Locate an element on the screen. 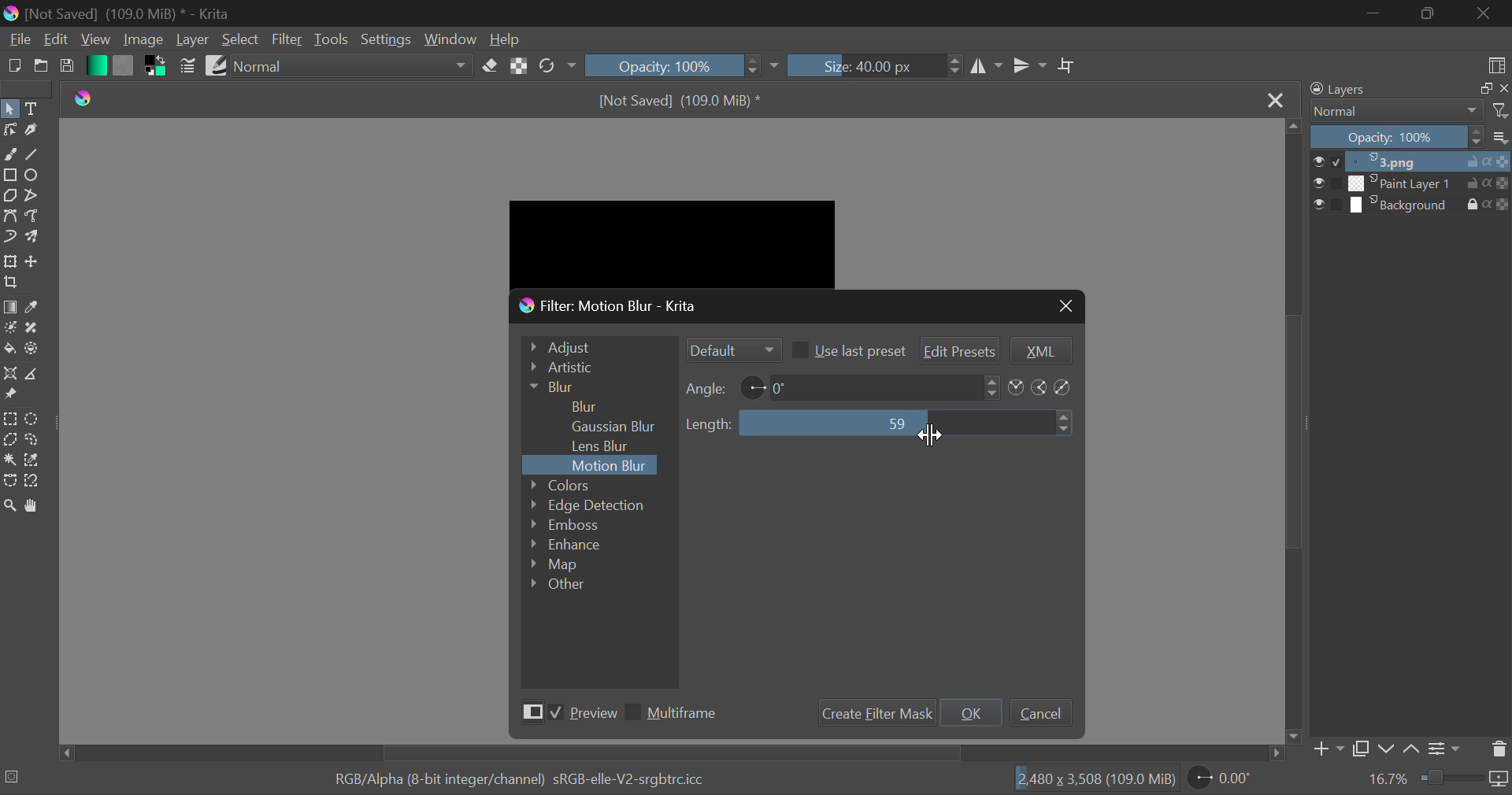 The image size is (1512, 795). Other is located at coordinates (559, 583).